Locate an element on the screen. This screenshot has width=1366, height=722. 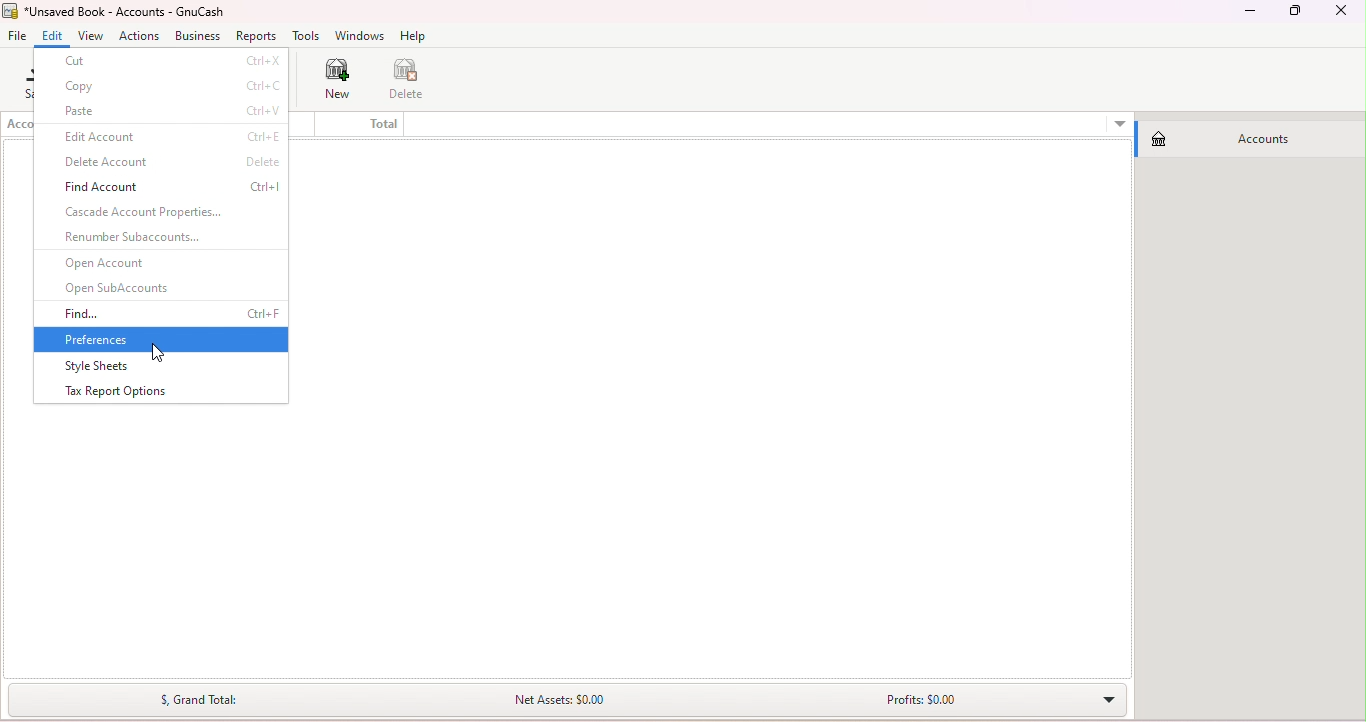
Reports is located at coordinates (255, 36).